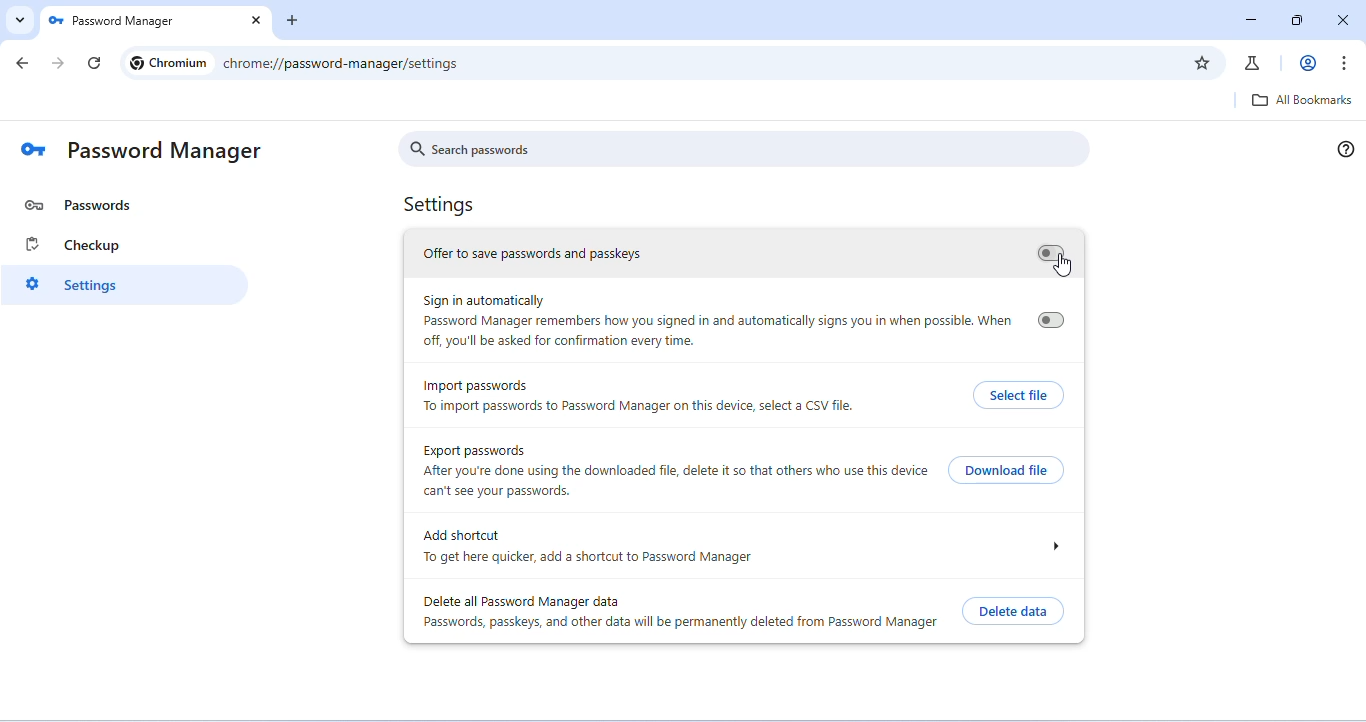 The image size is (1366, 722). Describe the element at coordinates (94, 62) in the screenshot. I see `refresh` at that location.